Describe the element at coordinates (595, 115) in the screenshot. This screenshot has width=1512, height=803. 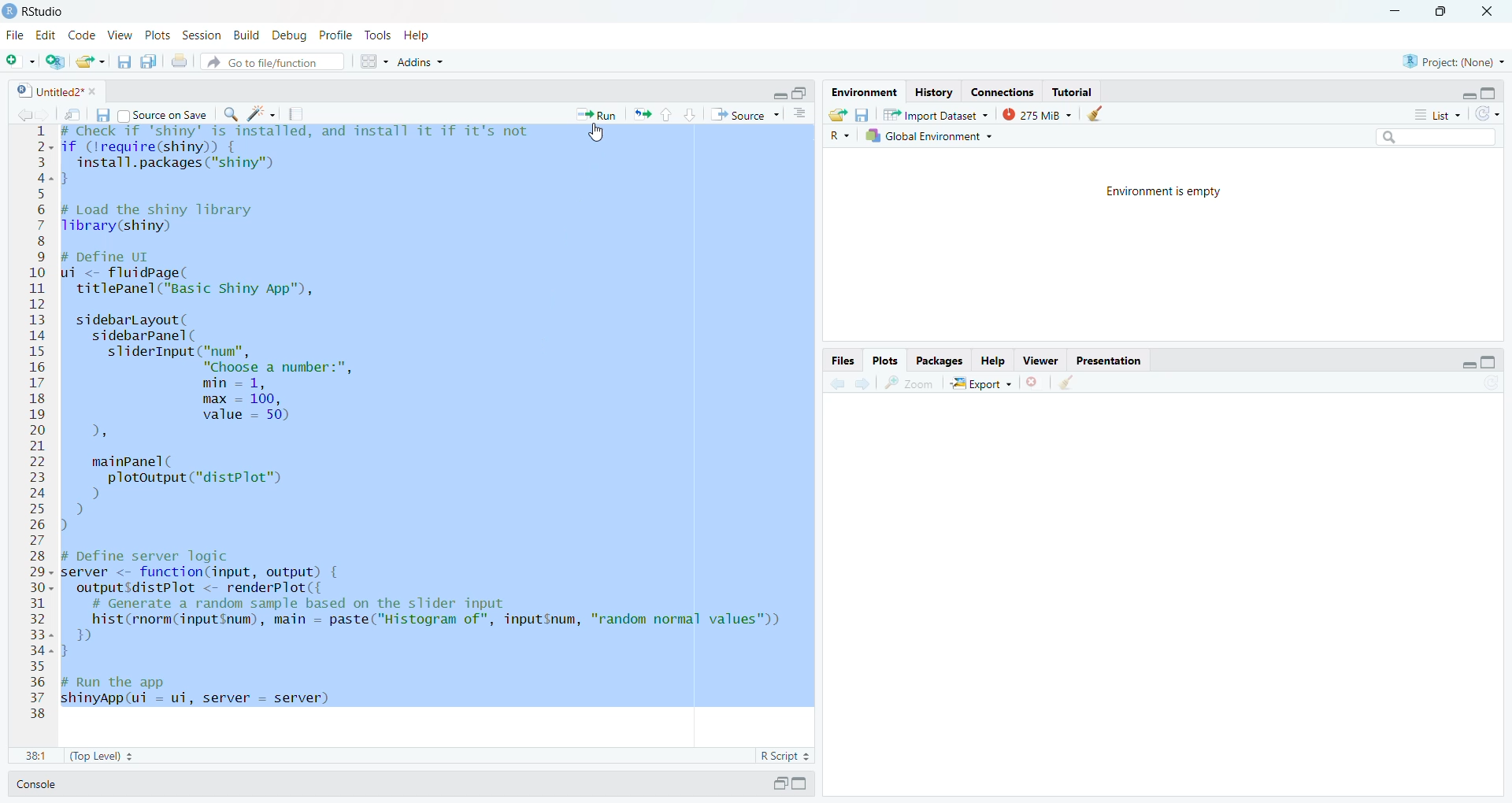
I see `Run` at that location.